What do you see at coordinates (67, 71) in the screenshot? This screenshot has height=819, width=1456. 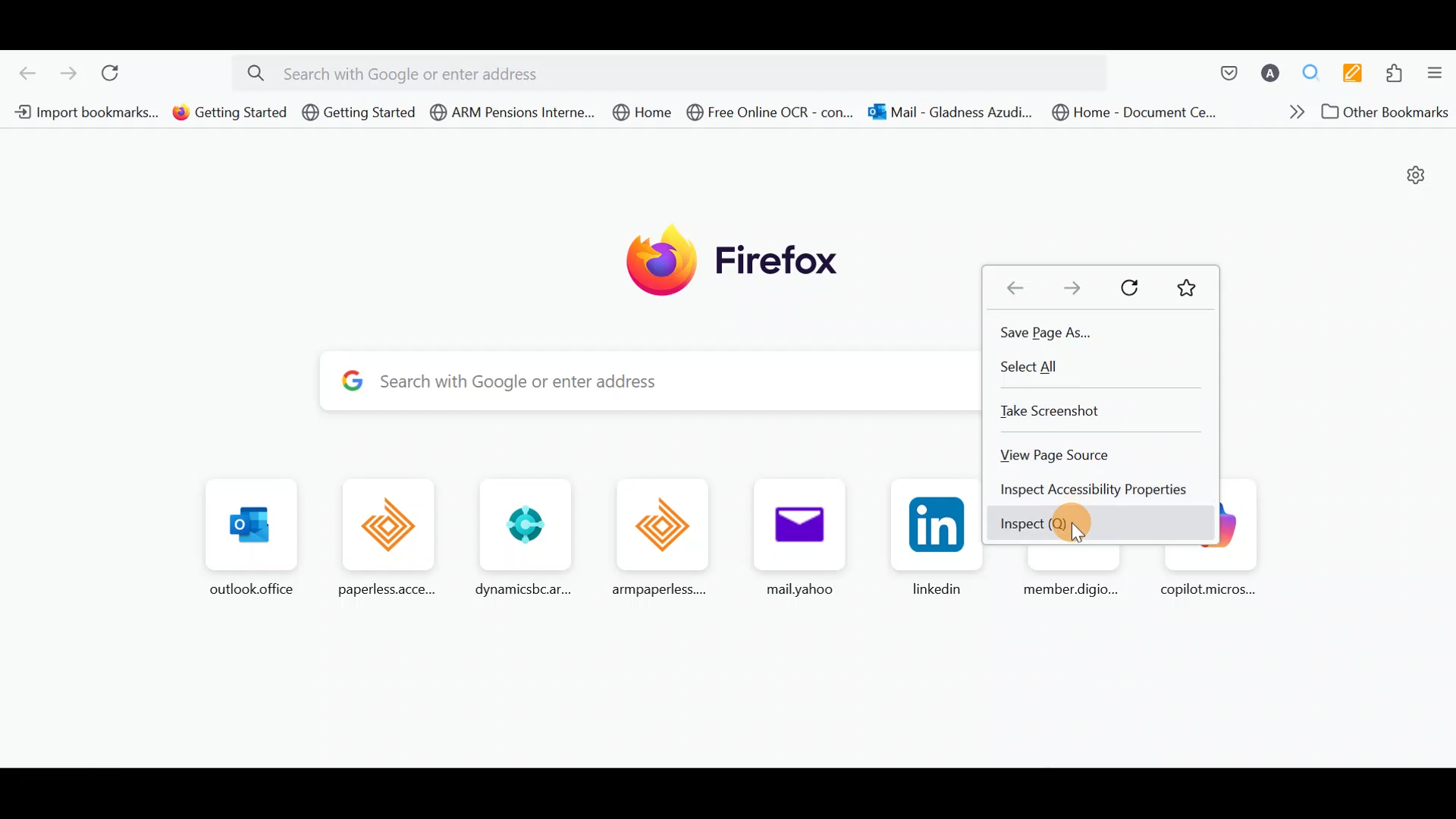 I see `Go forward one page` at bounding box center [67, 71].